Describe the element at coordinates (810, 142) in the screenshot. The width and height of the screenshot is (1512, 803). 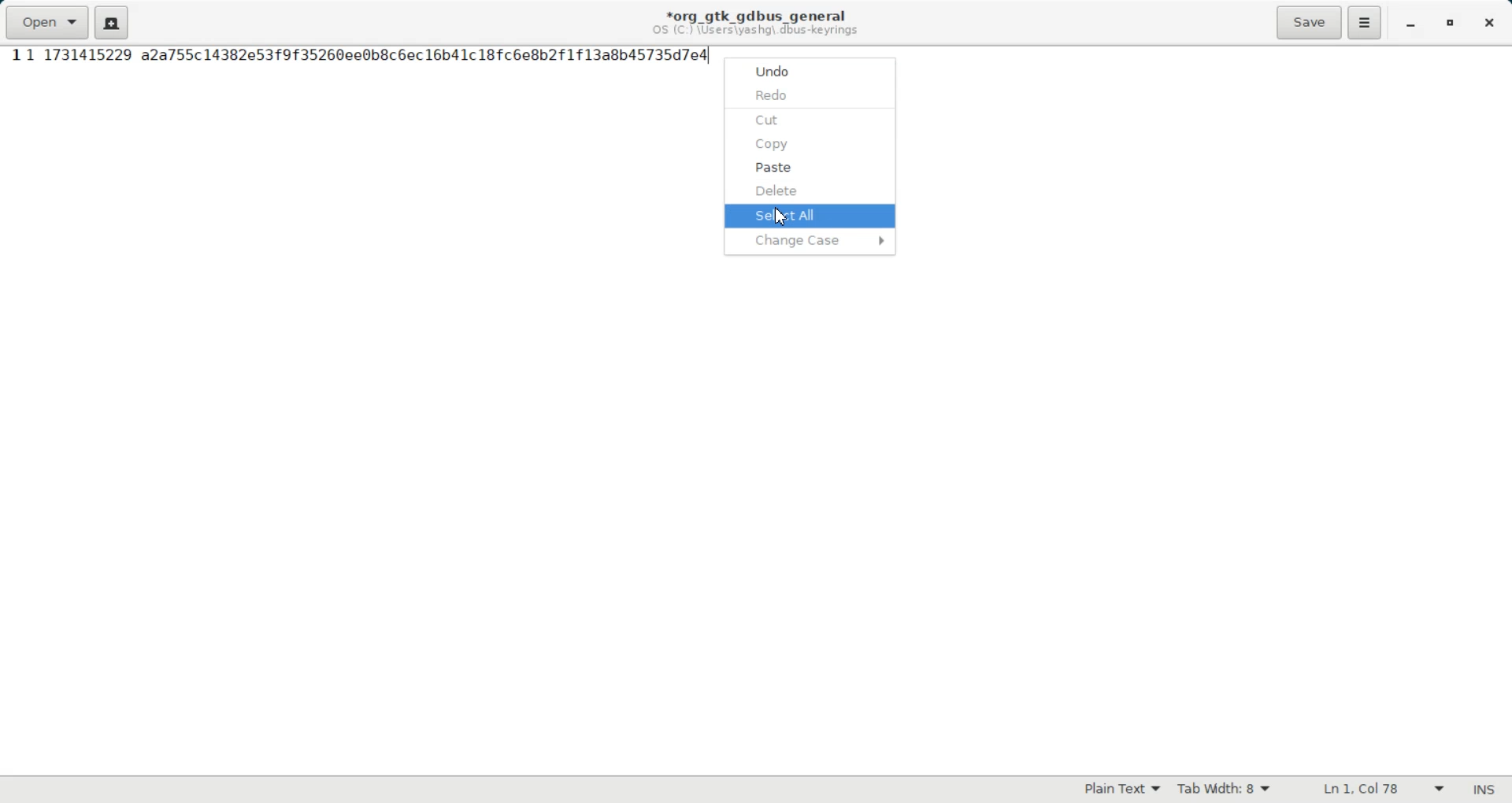
I see `Copy` at that location.